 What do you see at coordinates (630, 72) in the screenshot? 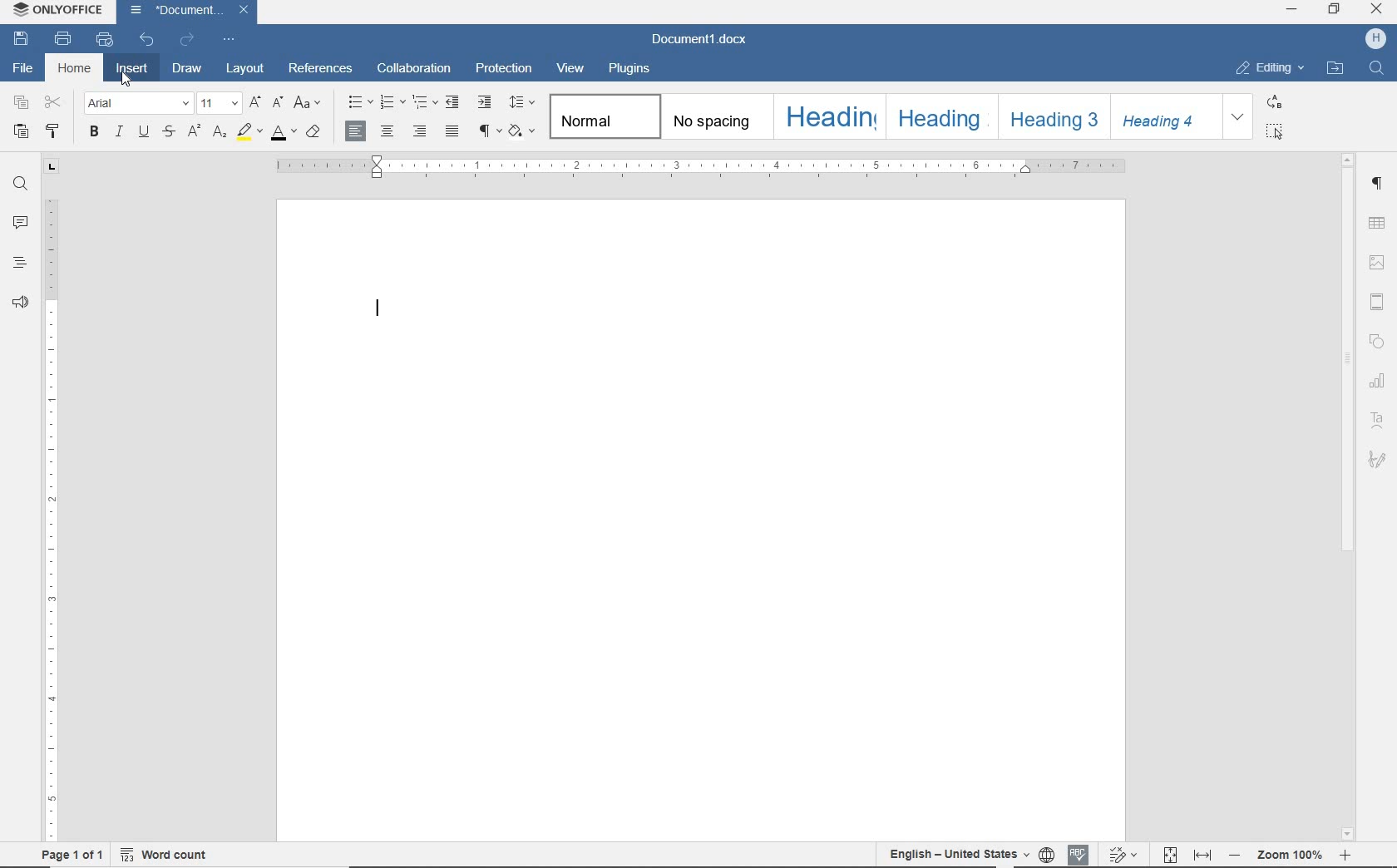
I see `plugins` at bounding box center [630, 72].